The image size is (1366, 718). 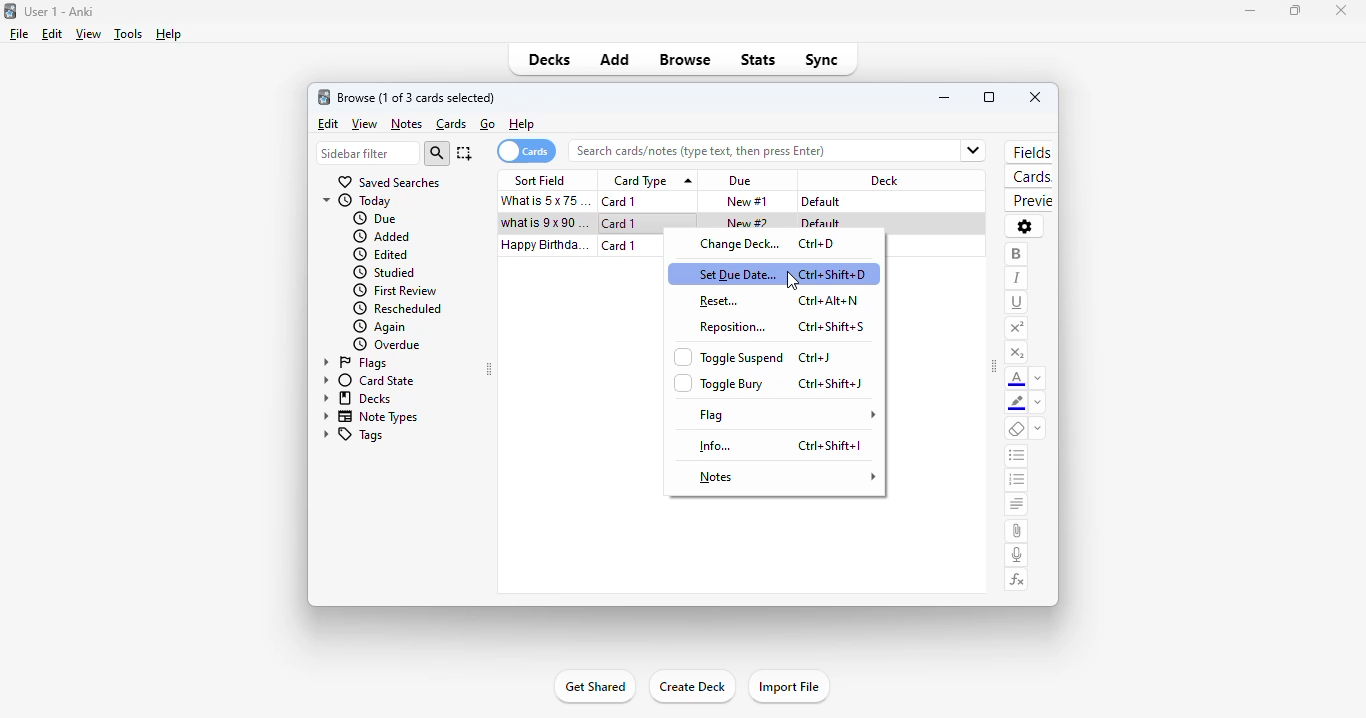 I want to click on sync, so click(x=820, y=61).